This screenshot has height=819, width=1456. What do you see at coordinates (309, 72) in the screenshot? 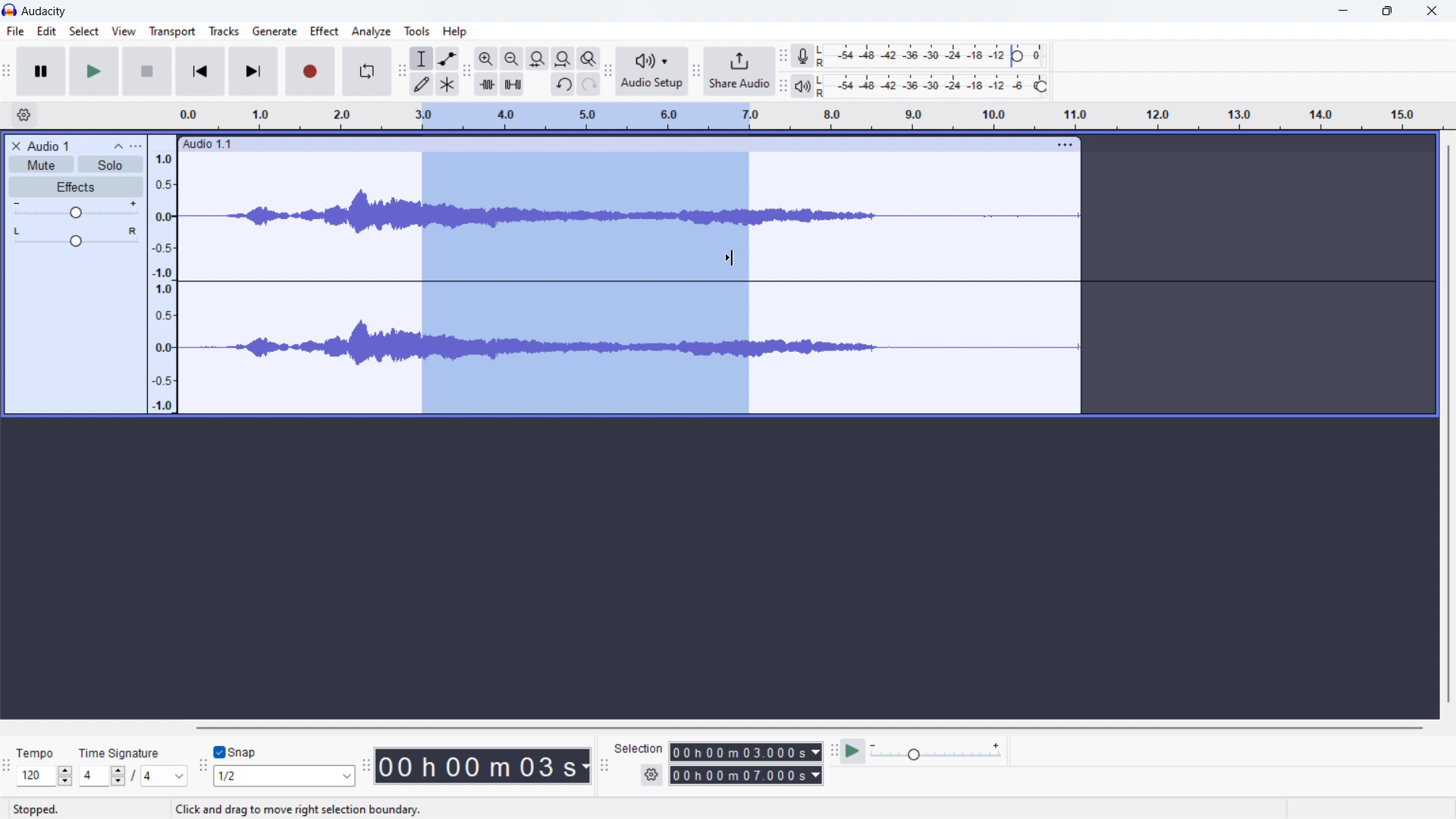
I see `record` at bounding box center [309, 72].